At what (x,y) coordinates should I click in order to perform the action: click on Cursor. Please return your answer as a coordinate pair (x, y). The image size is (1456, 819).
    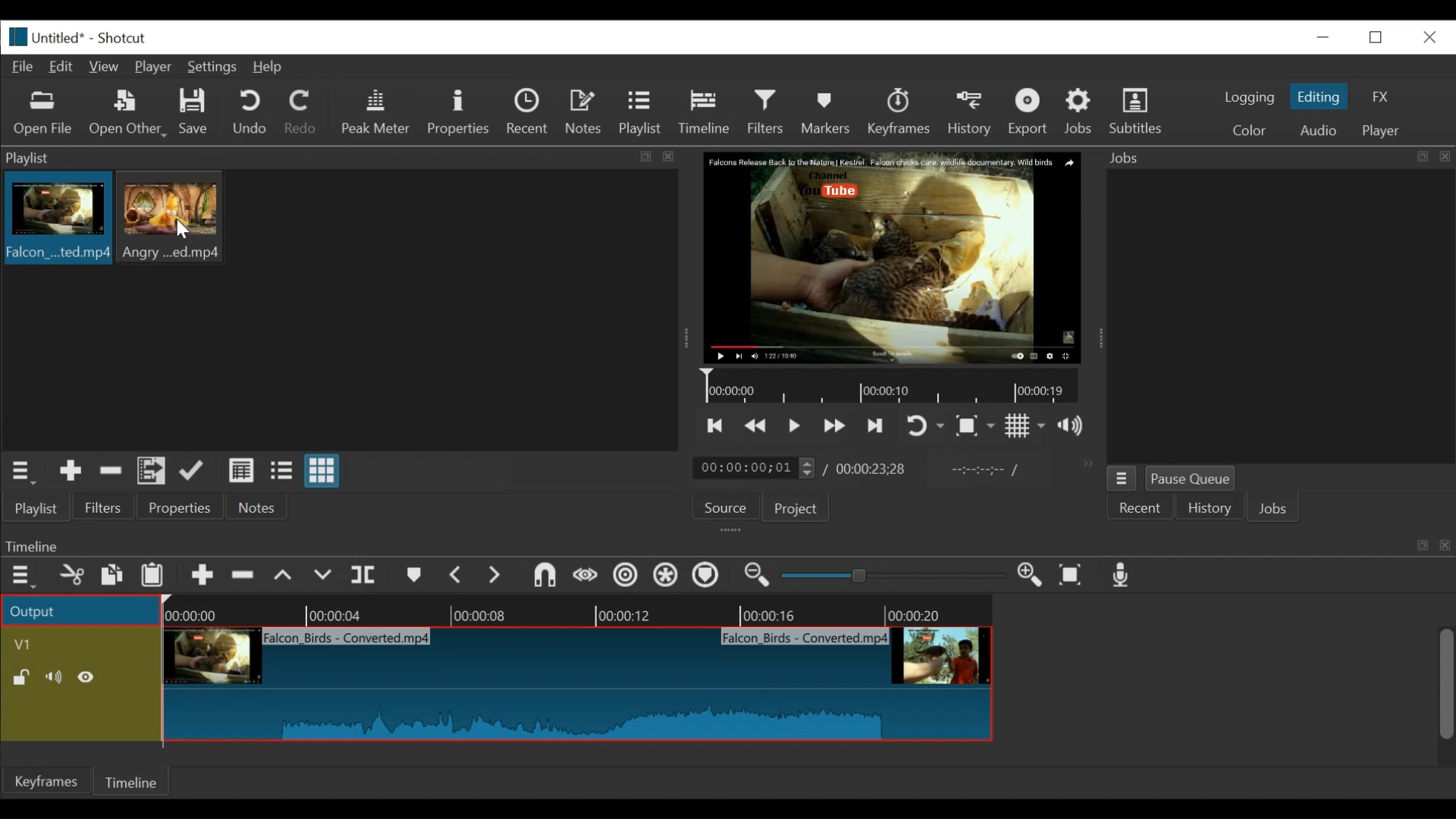
    Looking at the image, I should click on (181, 229).